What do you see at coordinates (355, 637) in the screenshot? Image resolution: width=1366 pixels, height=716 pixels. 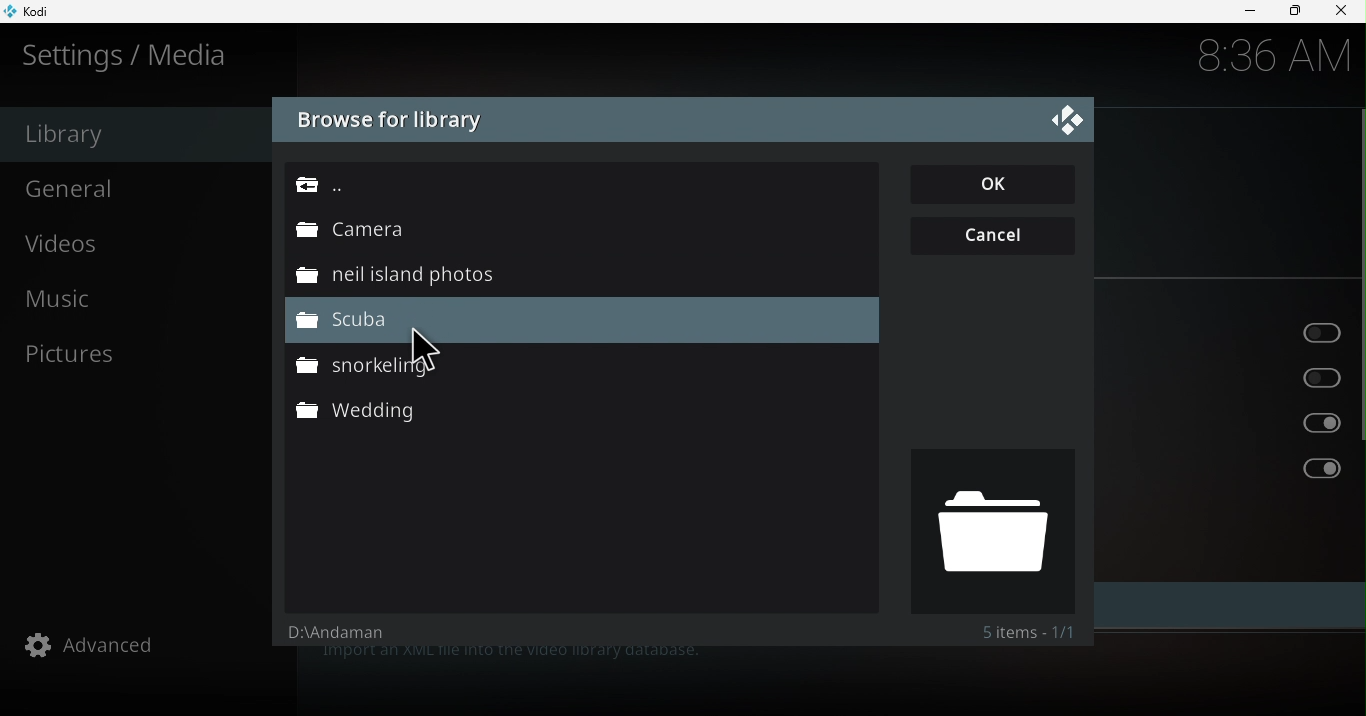 I see `address` at bounding box center [355, 637].